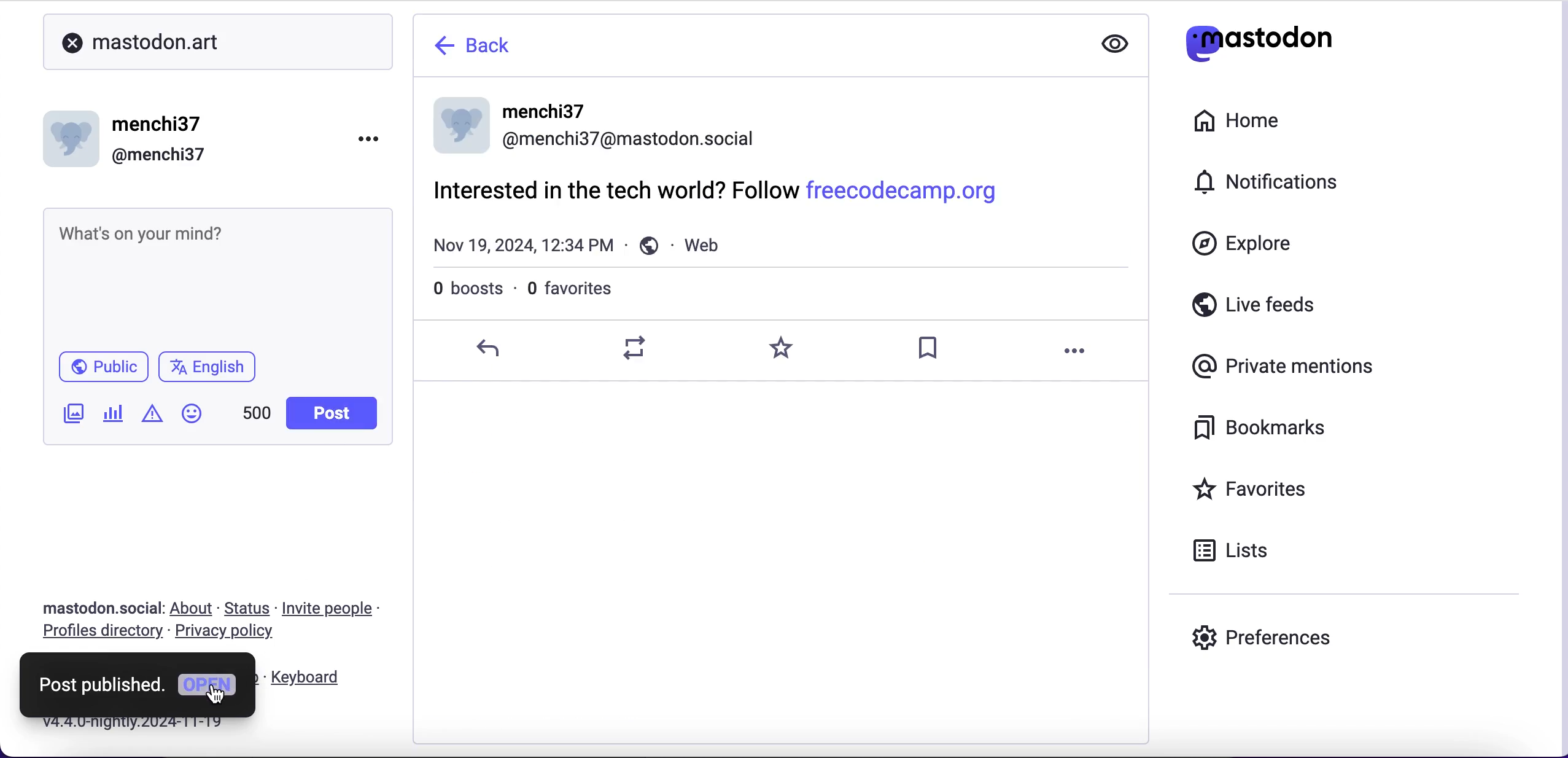  Describe the element at coordinates (209, 690) in the screenshot. I see `open` at that location.